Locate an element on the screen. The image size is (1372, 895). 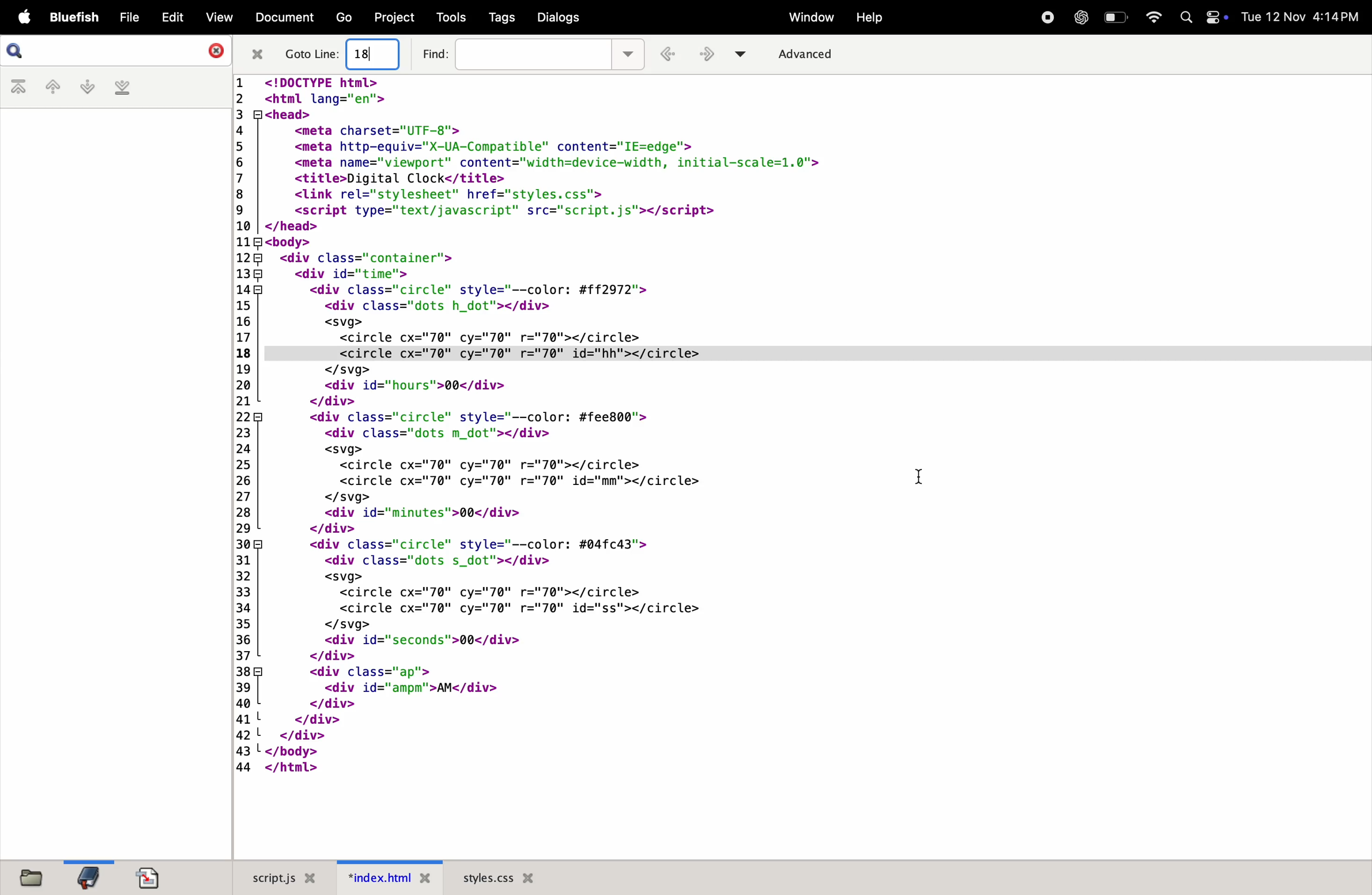
dialogs is located at coordinates (559, 18).